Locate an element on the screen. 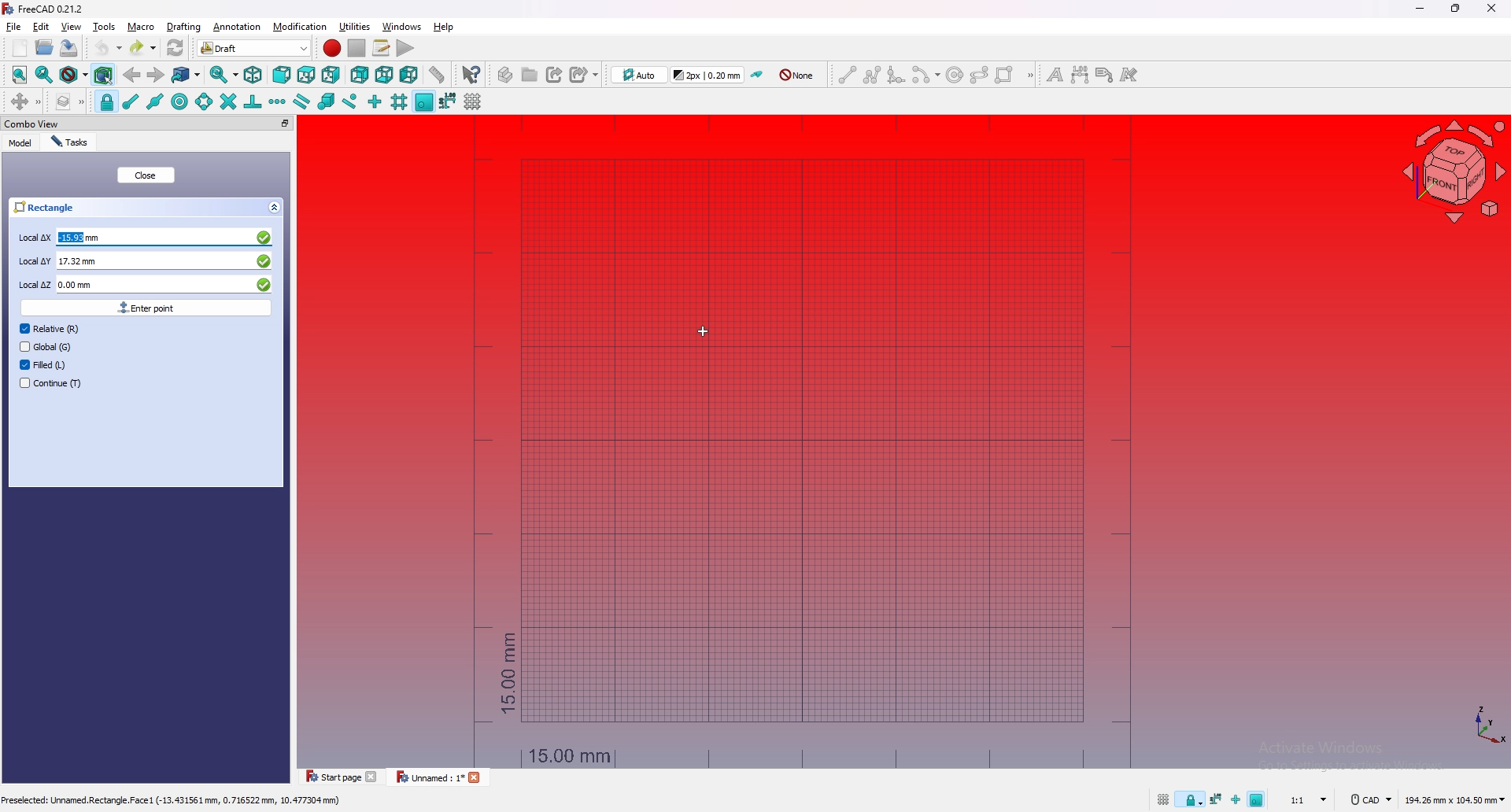 Image resolution: width=1511 pixels, height=812 pixels. toggle grid is located at coordinates (475, 101).